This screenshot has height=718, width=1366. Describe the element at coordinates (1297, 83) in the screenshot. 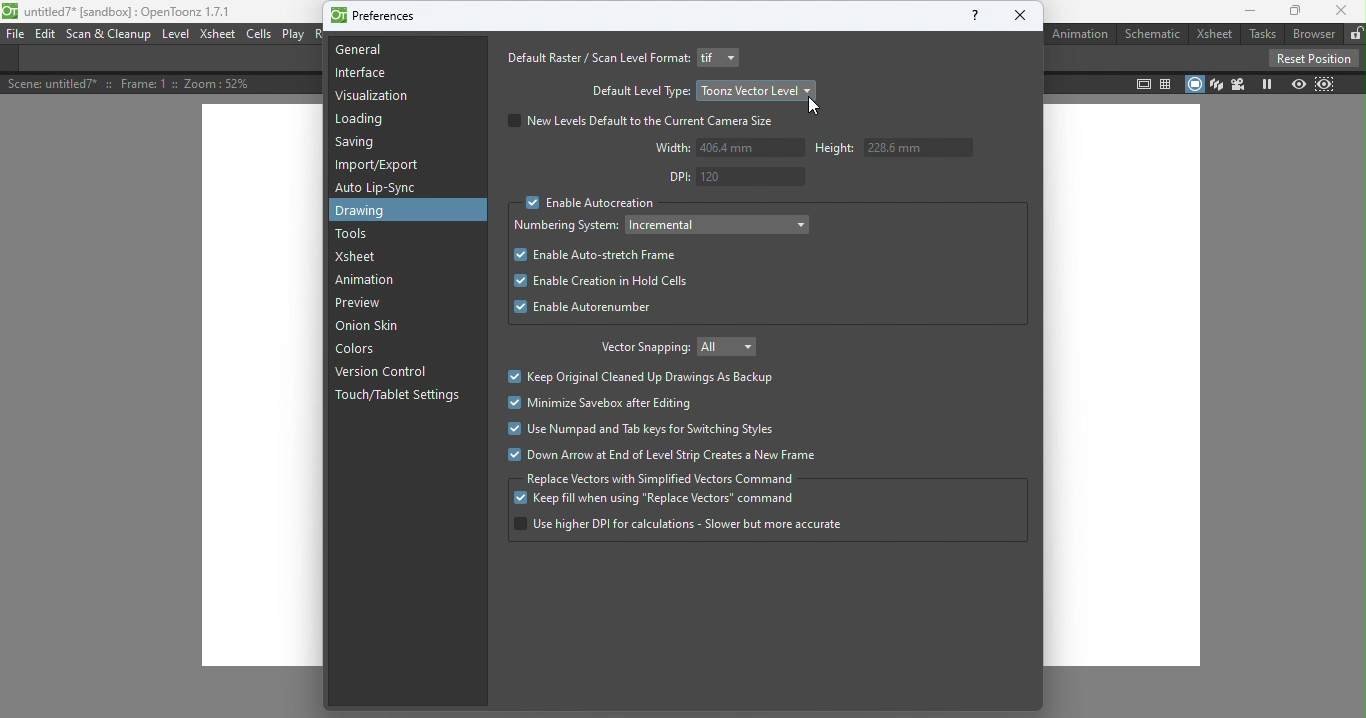

I see `Preview` at that location.